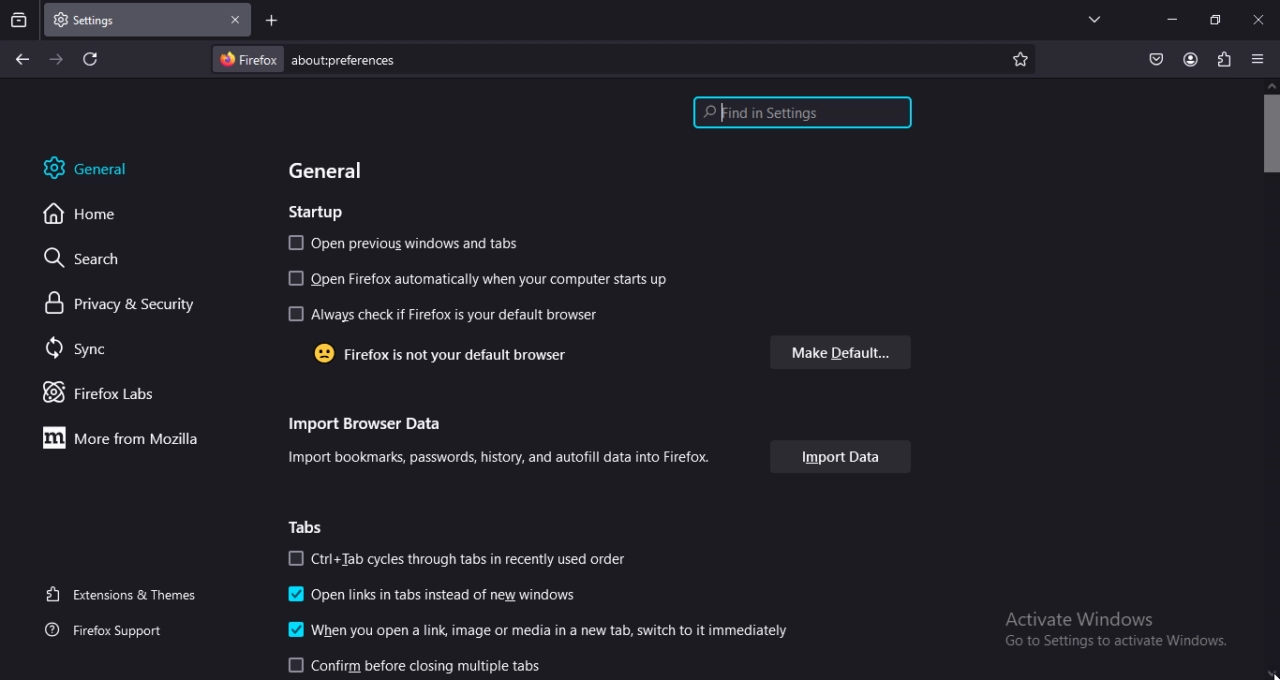 The height and width of the screenshot is (680, 1280). Describe the element at coordinates (1255, 59) in the screenshot. I see `open application menu` at that location.